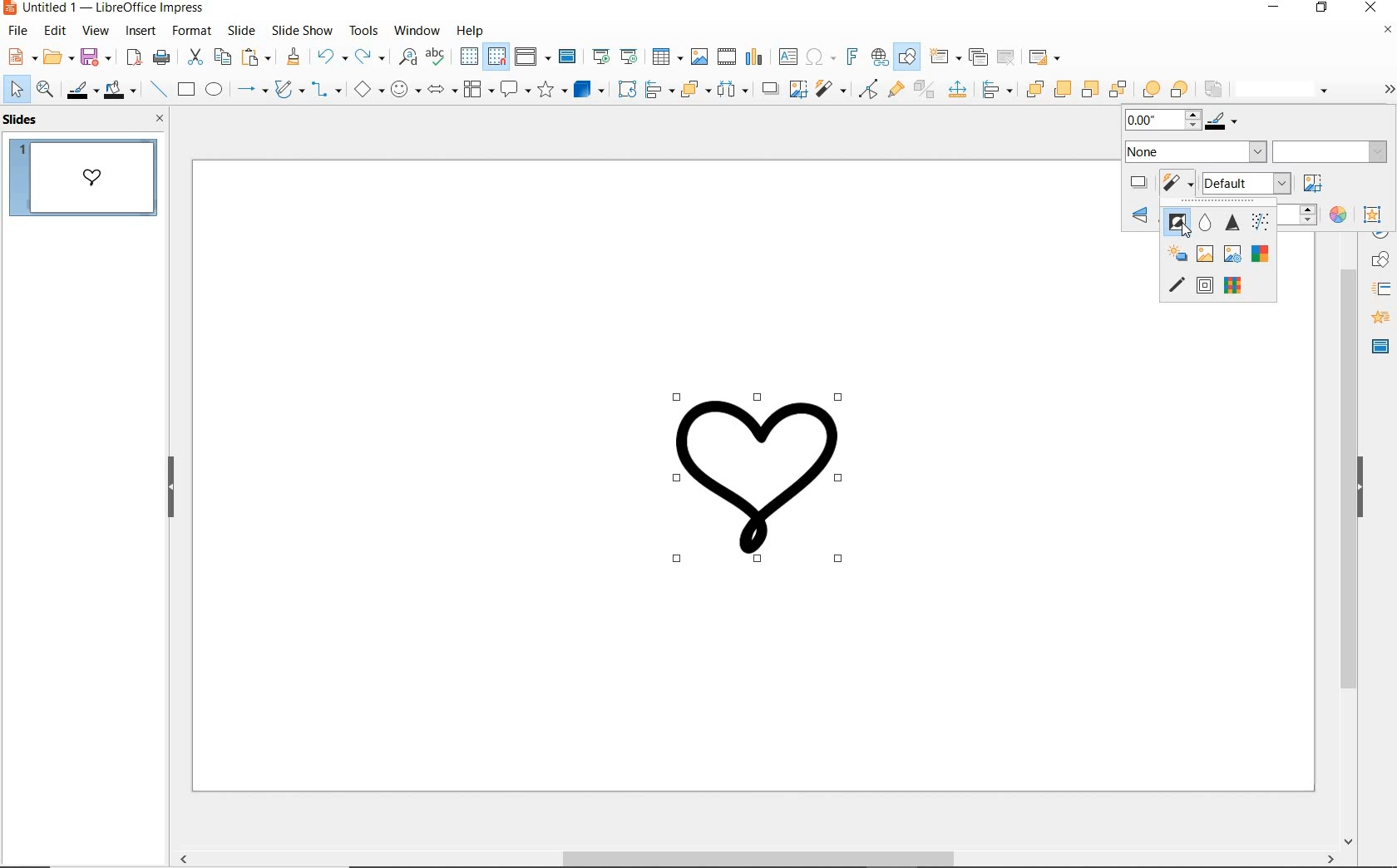  What do you see at coordinates (797, 89) in the screenshot?
I see `crop image` at bounding box center [797, 89].